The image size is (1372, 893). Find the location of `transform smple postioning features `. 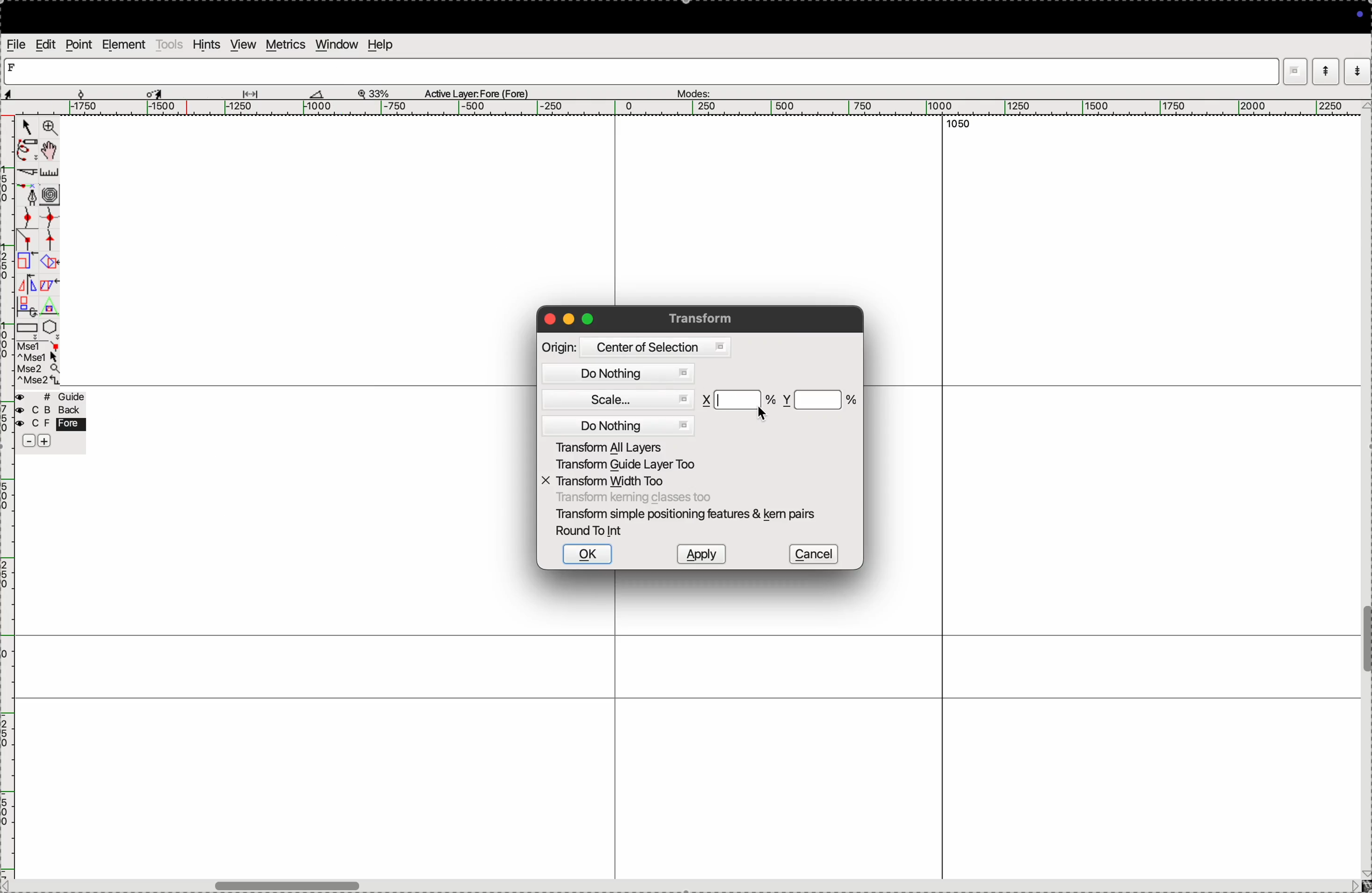

transform smple postioning features  is located at coordinates (689, 514).